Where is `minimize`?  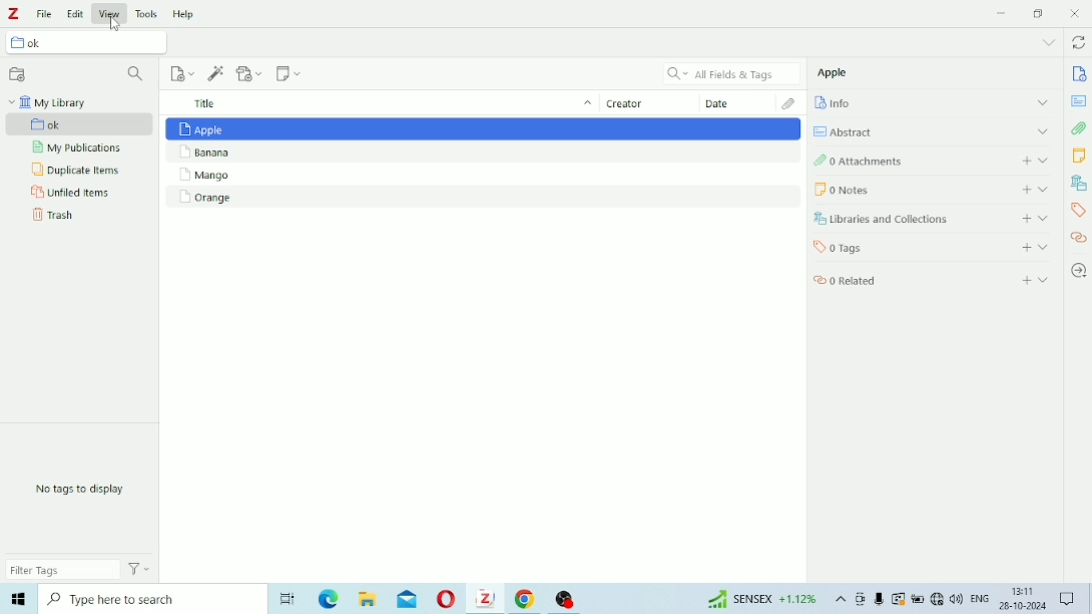
minimize is located at coordinates (1002, 12).